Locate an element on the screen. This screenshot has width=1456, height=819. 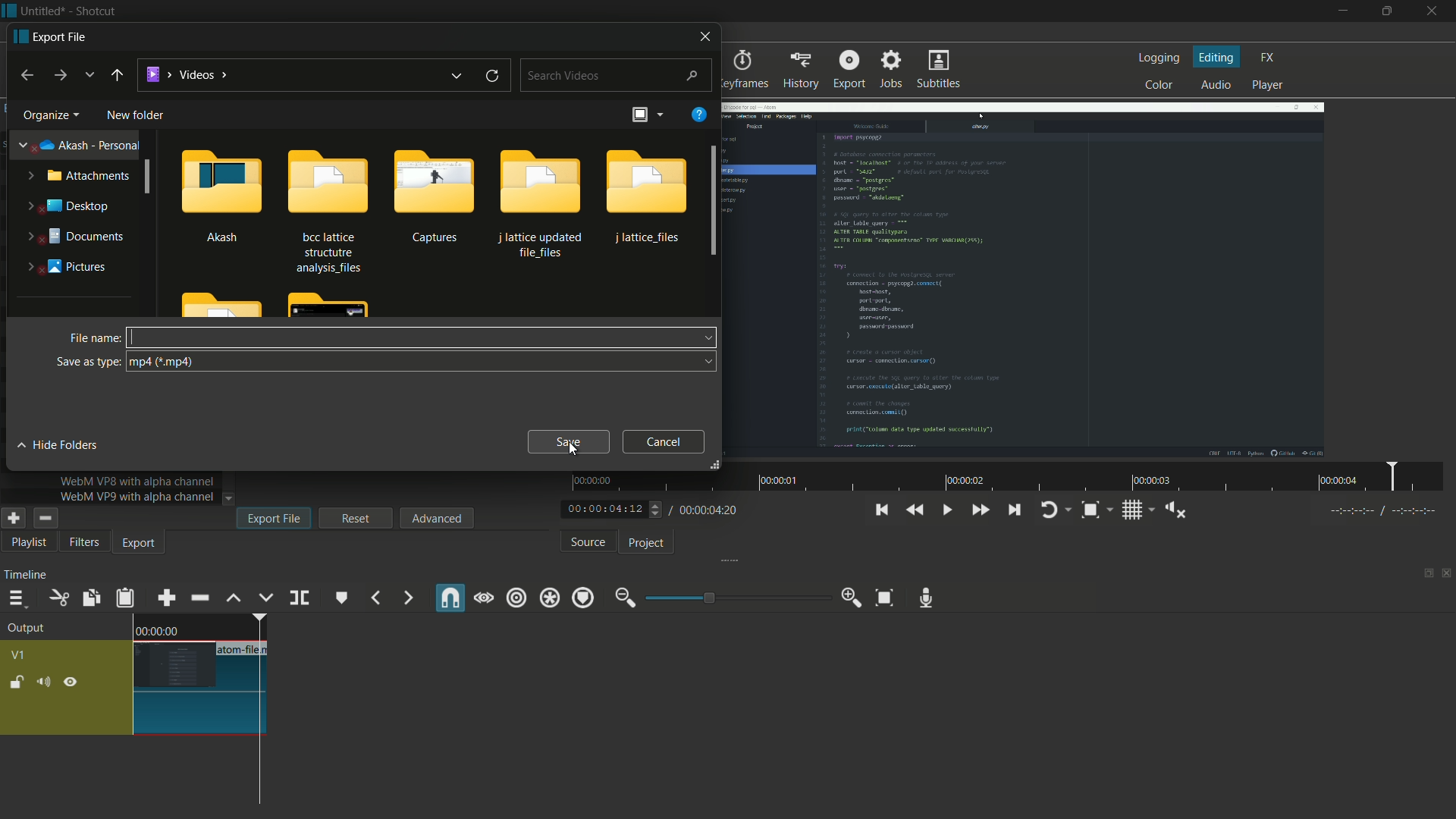
add current preet is located at coordinates (13, 518).